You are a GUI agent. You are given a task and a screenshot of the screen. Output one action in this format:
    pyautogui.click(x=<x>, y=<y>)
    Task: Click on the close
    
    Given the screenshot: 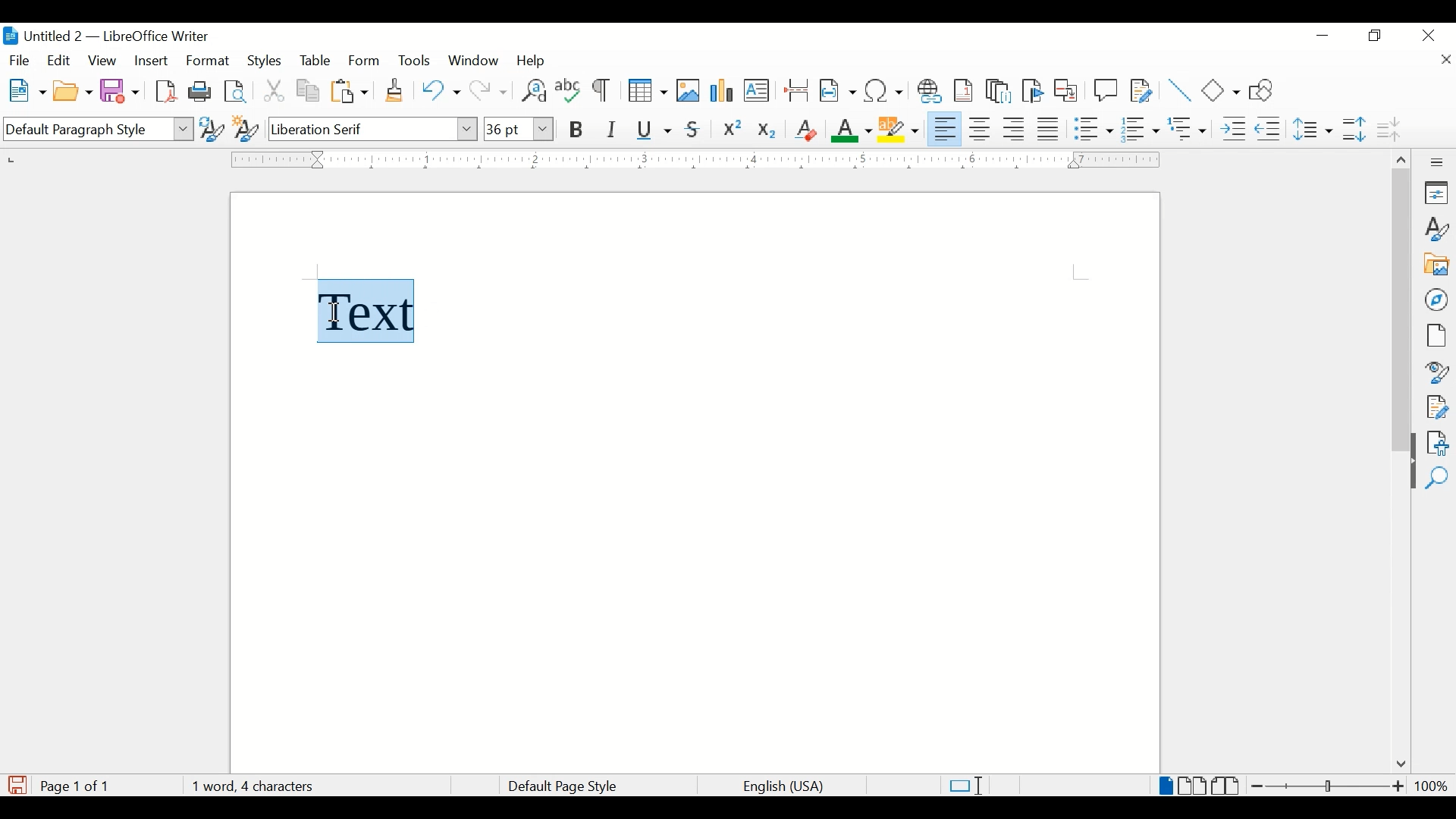 What is the action you would take?
    pyautogui.click(x=1445, y=61)
    